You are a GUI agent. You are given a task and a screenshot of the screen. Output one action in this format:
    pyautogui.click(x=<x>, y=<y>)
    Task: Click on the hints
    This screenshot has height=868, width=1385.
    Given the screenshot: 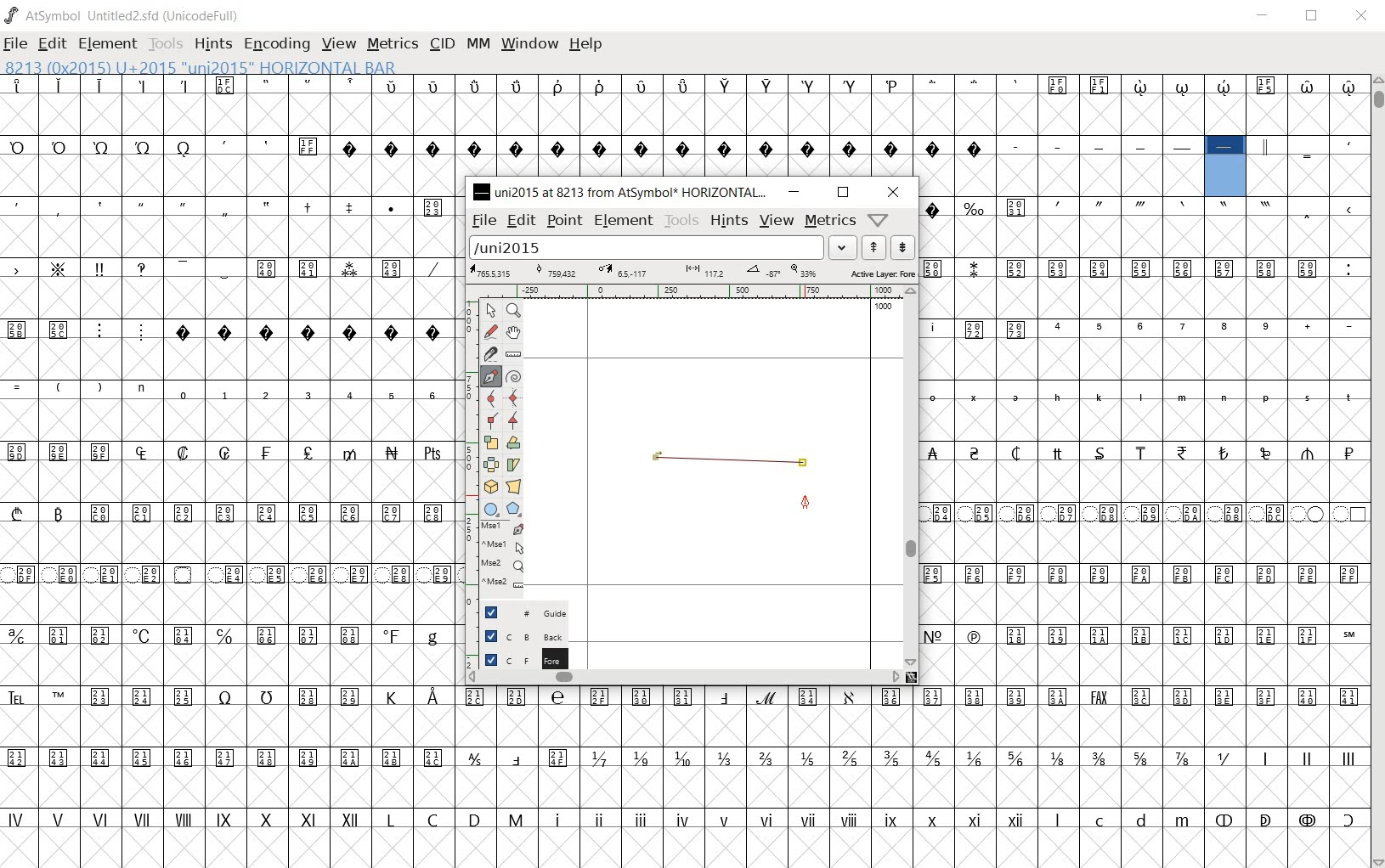 What is the action you would take?
    pyautogui.click(x=730, y=223)
    